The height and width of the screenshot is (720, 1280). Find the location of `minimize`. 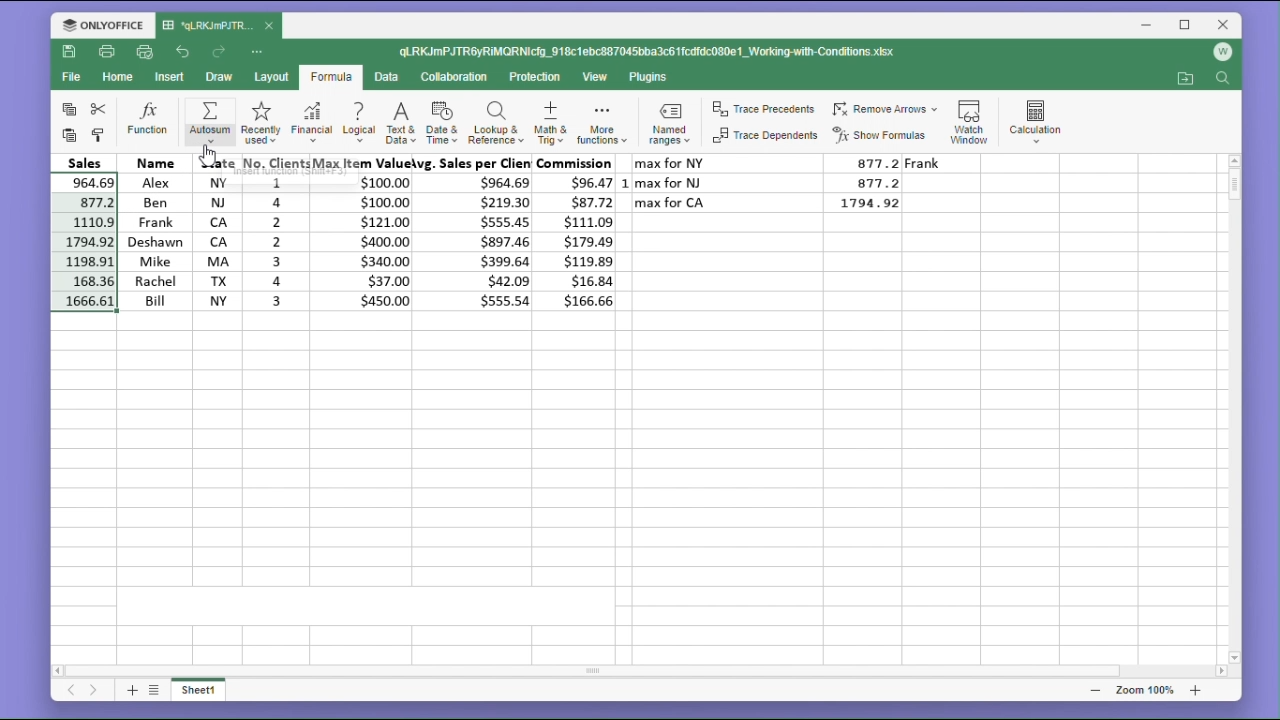

minimize is located at coordinates (1149, 27).